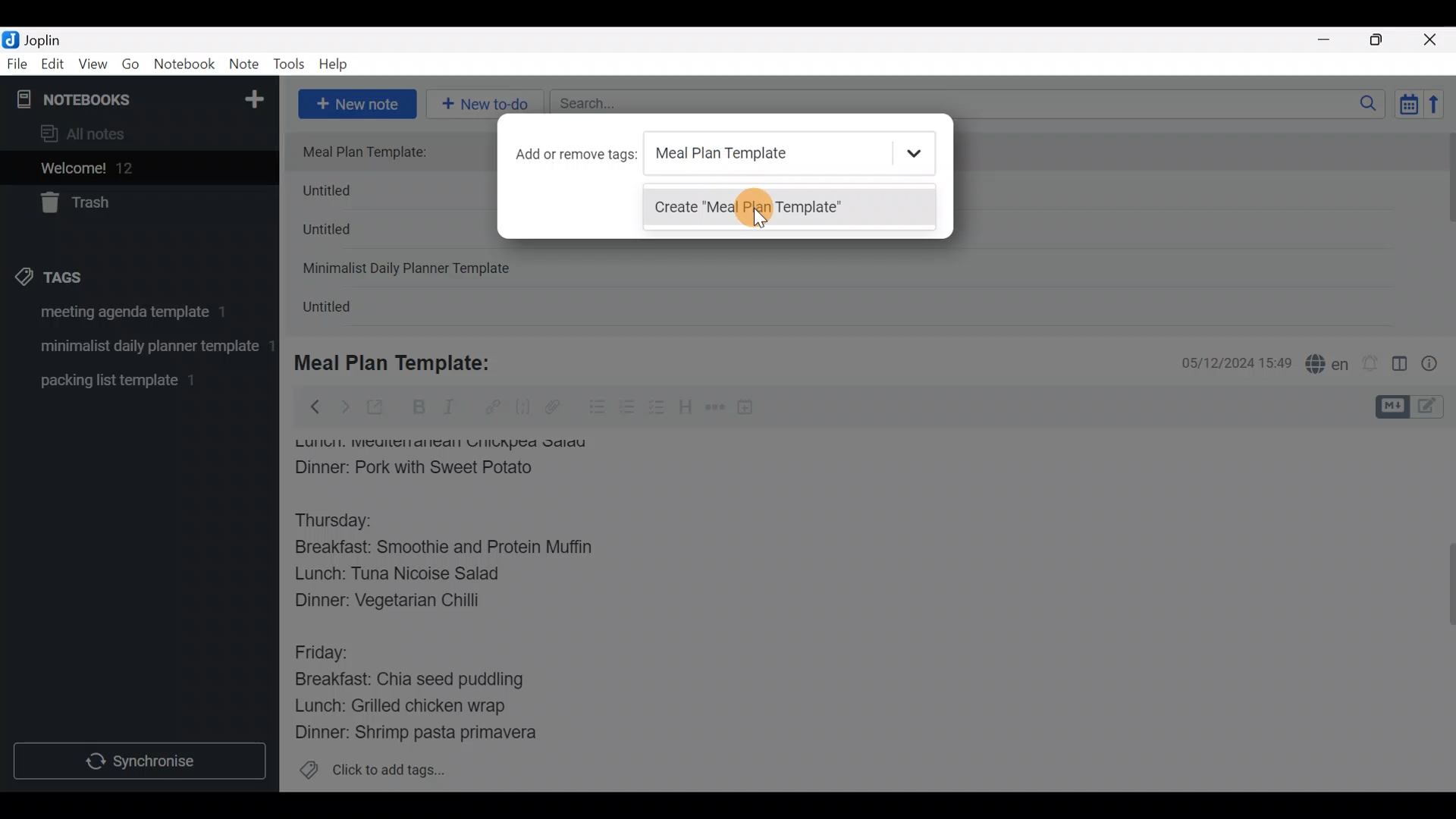 The height and width of the screenshot is (819, 1456). What do you see at coordinates (1446, 229) in the screenshot?
I see `scroll bar` at bounding box center [1446, 229].